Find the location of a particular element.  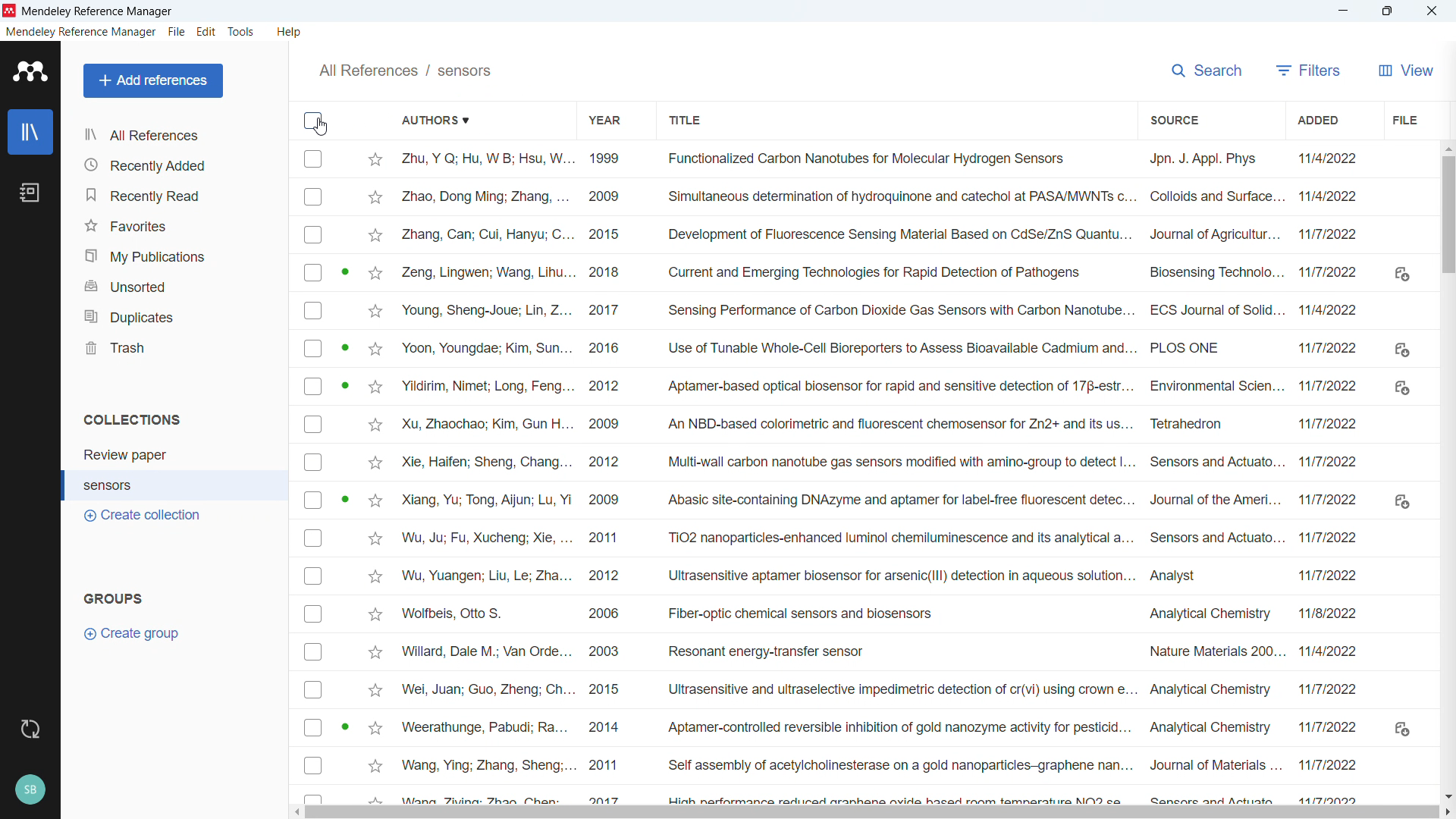

profile is located at coordinates (30, 790).